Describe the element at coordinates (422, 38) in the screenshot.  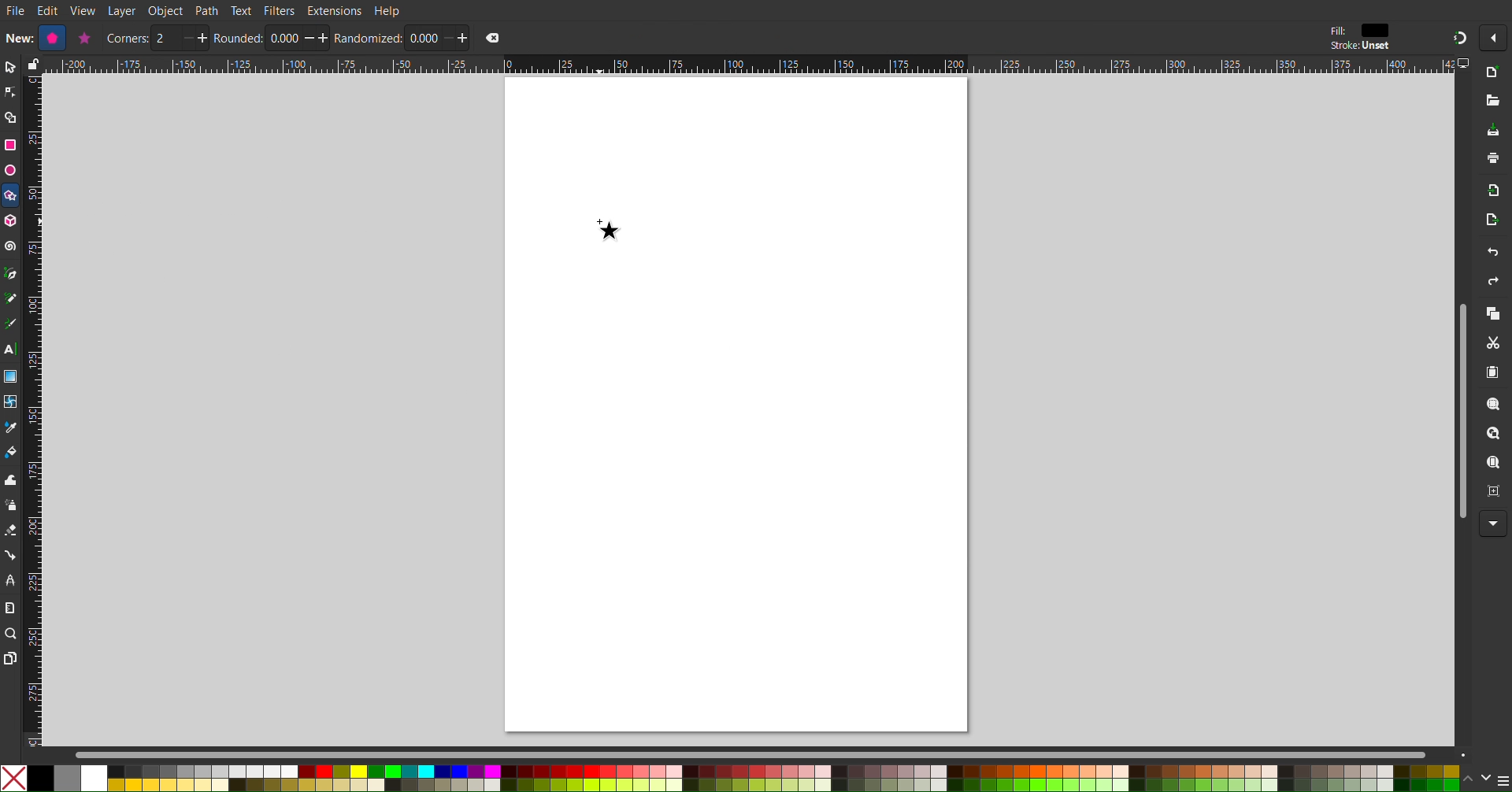
I see `0` at that location.